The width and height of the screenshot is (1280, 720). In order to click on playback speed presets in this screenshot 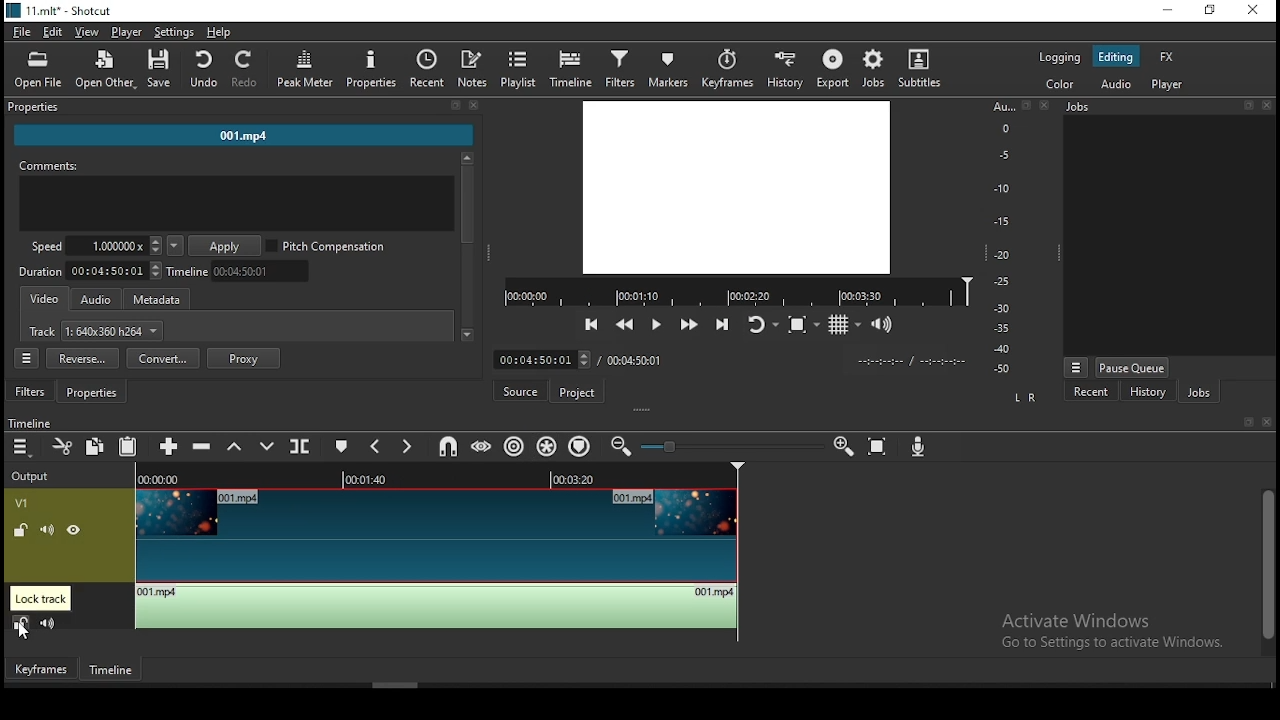, I will do `click(174, 247)`.